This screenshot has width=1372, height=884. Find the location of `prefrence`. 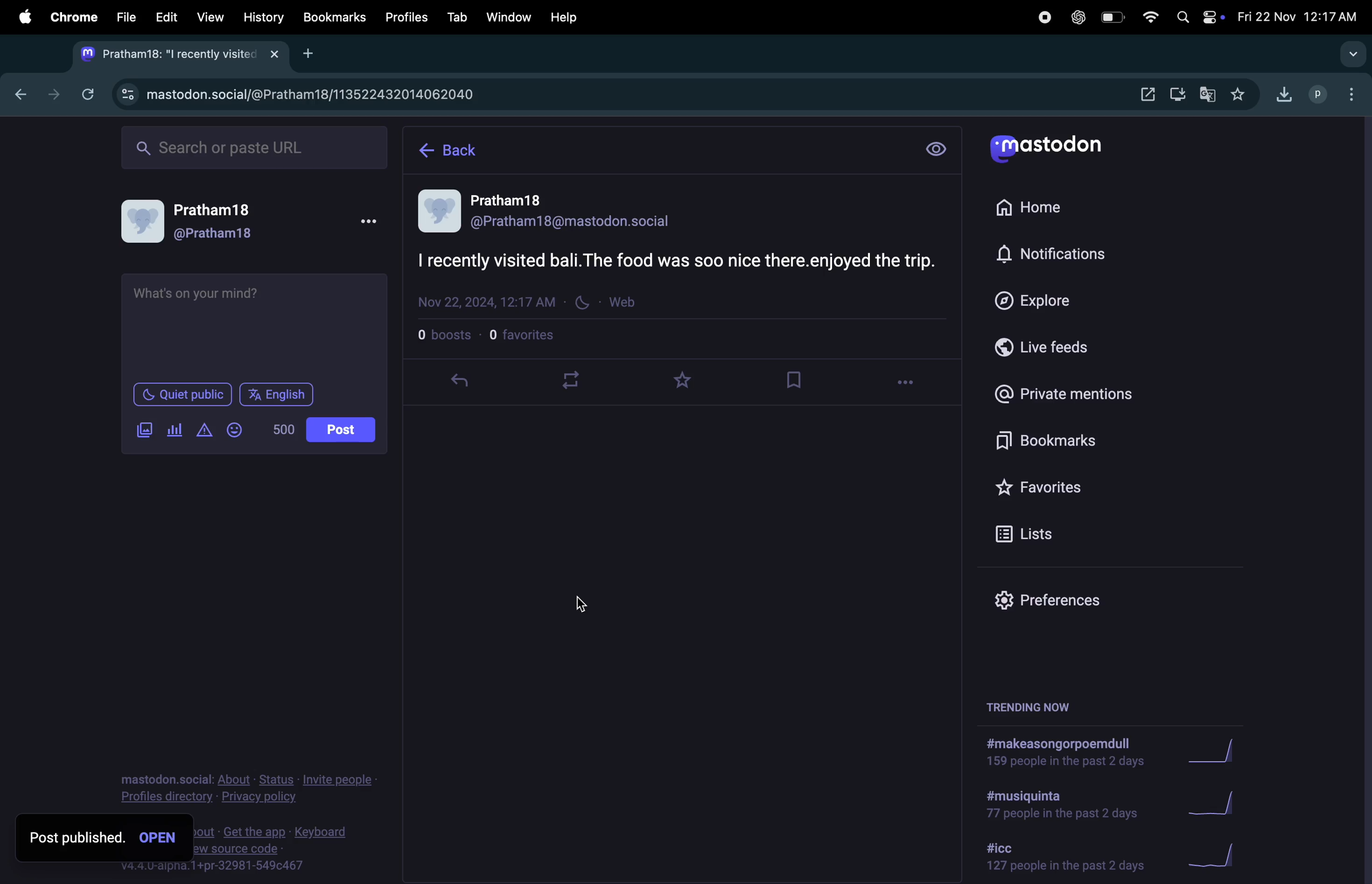

prefrence is located at coordinates (1057, 600).